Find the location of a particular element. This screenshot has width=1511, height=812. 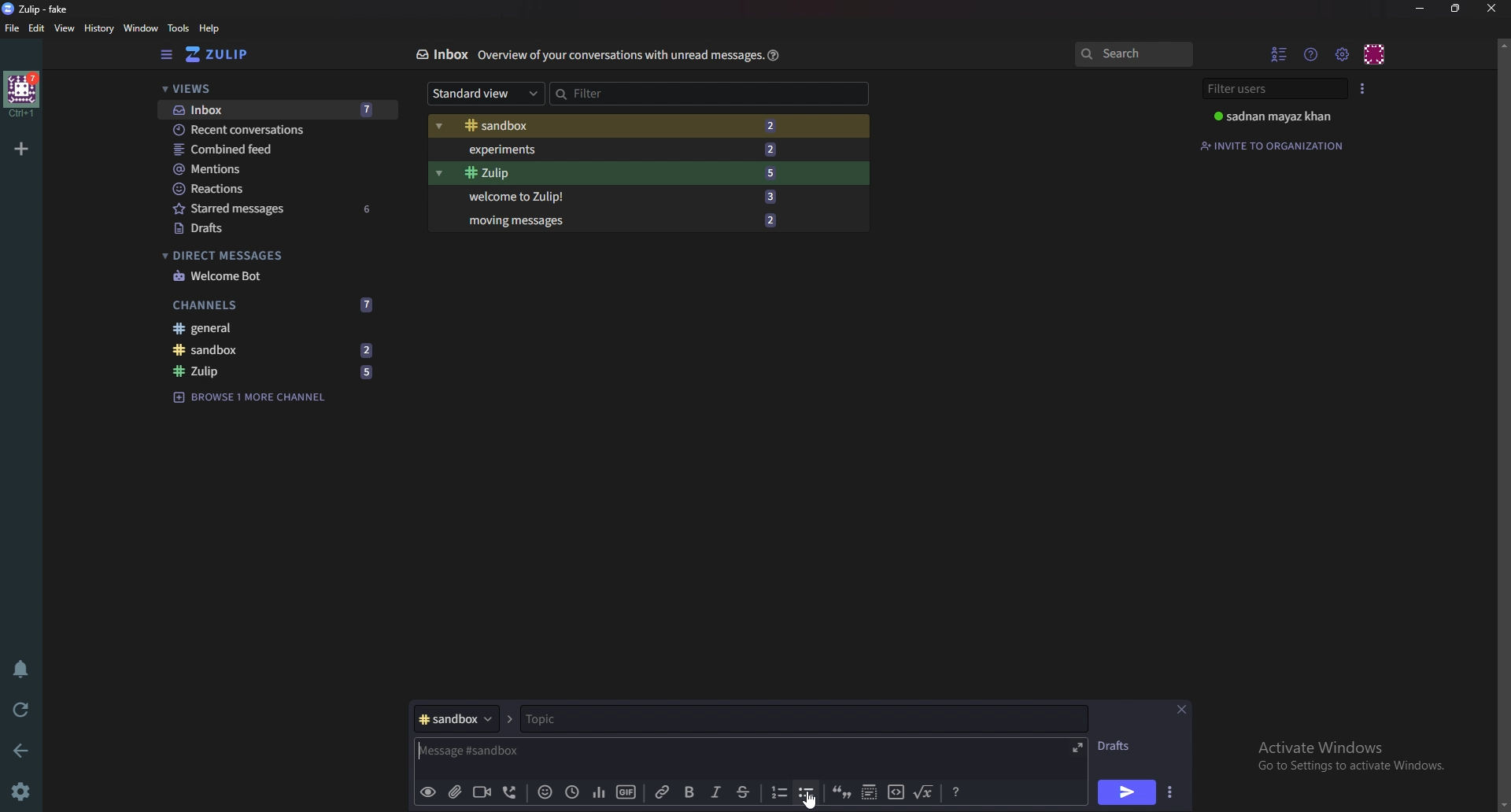

User is located at coordinates (1281, 116).